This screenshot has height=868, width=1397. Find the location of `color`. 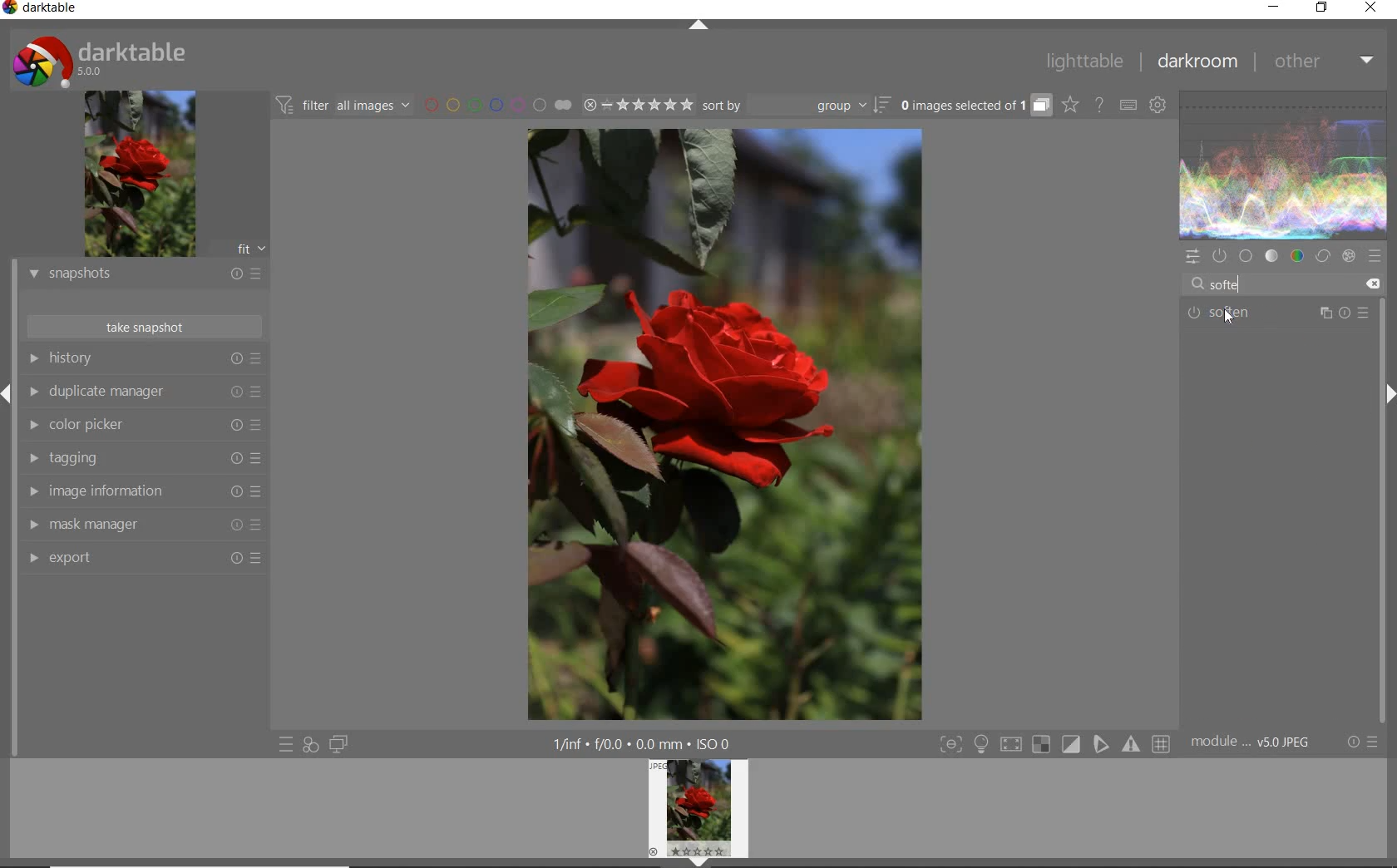

color is located at coordinates (1298, 256).